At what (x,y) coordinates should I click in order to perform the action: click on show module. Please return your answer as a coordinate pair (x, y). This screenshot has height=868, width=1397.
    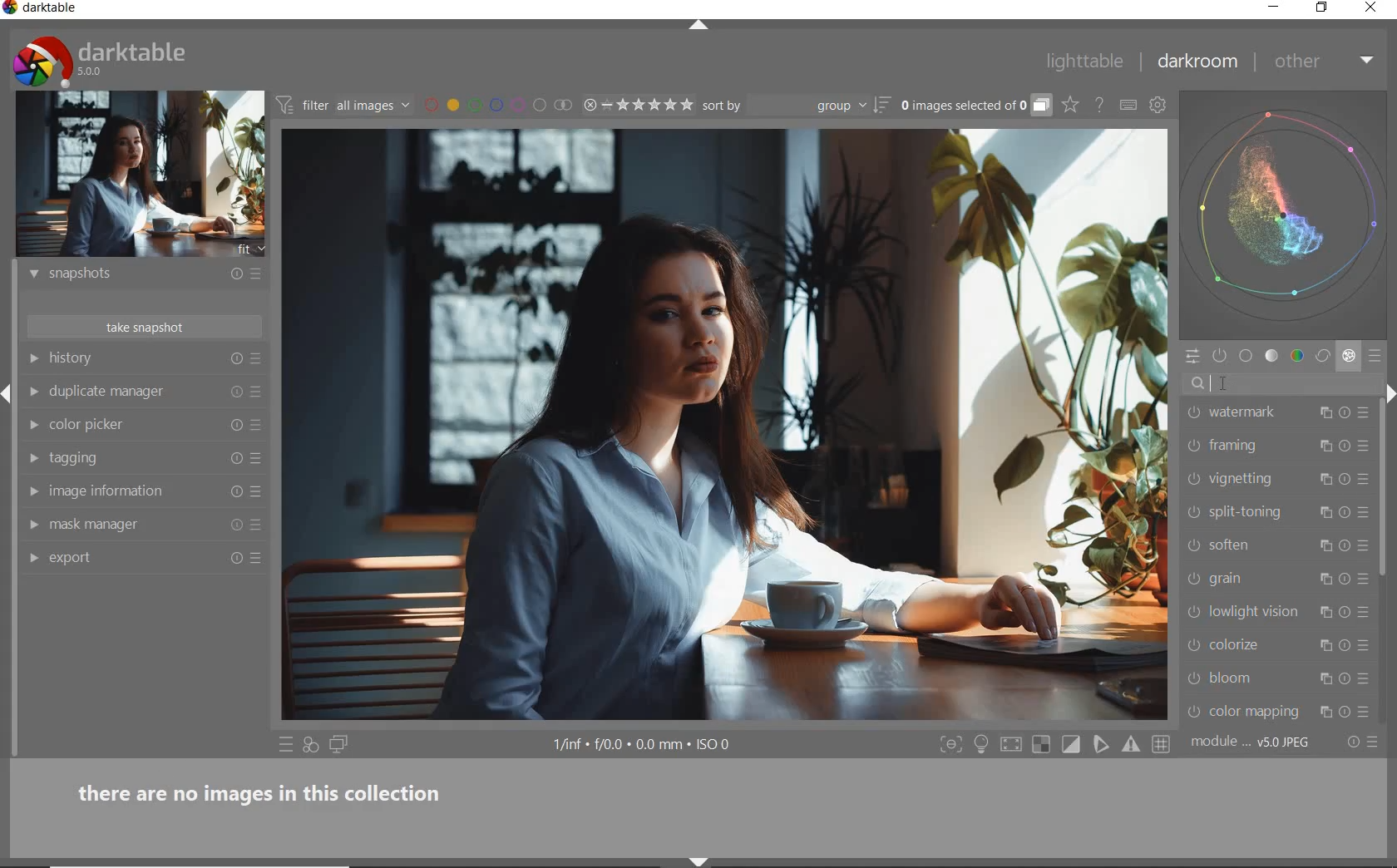
    Looking at the image, I should click on (31, 491).